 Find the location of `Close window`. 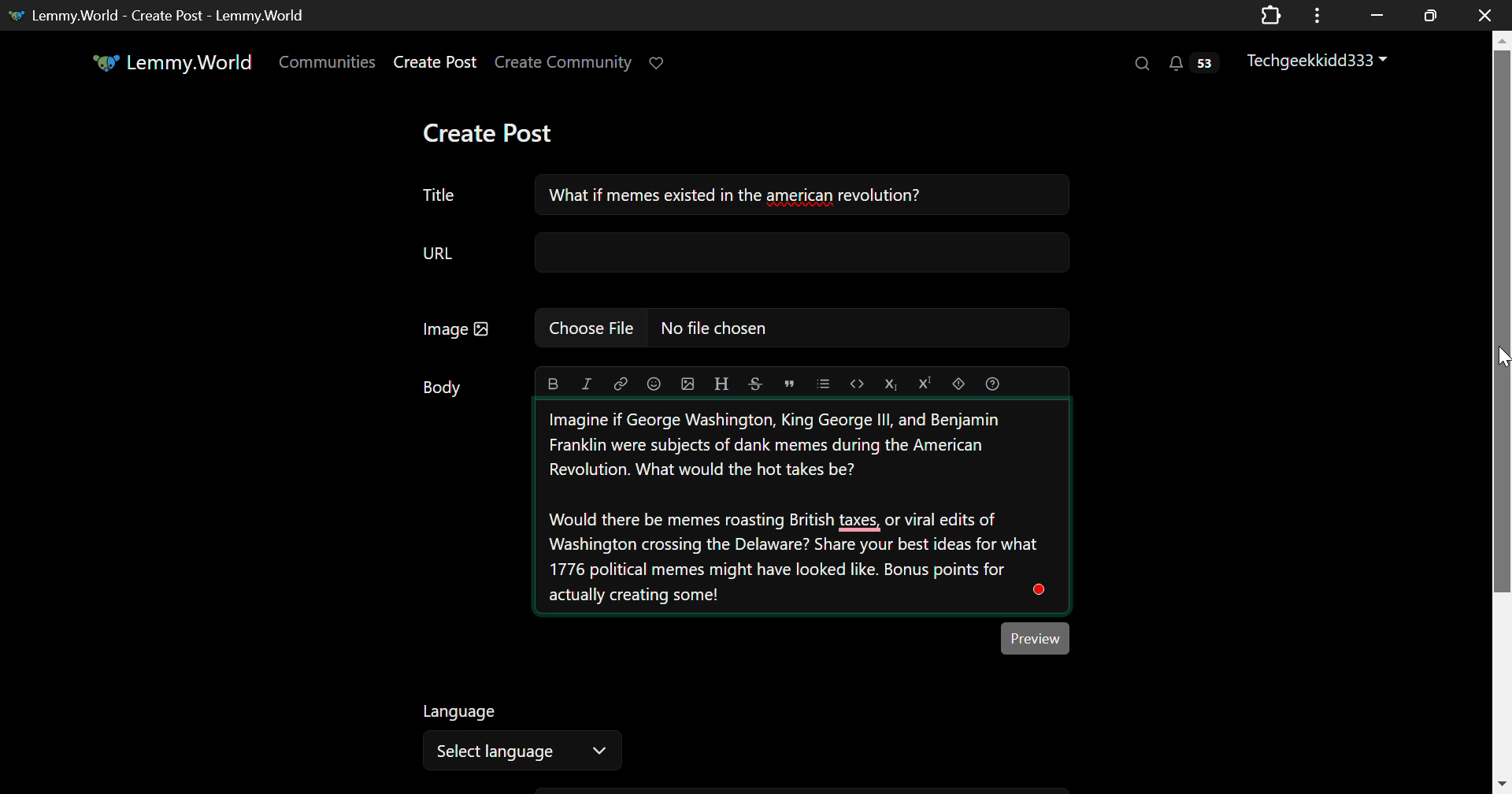

Close window is located at coordinates (1487, 14).